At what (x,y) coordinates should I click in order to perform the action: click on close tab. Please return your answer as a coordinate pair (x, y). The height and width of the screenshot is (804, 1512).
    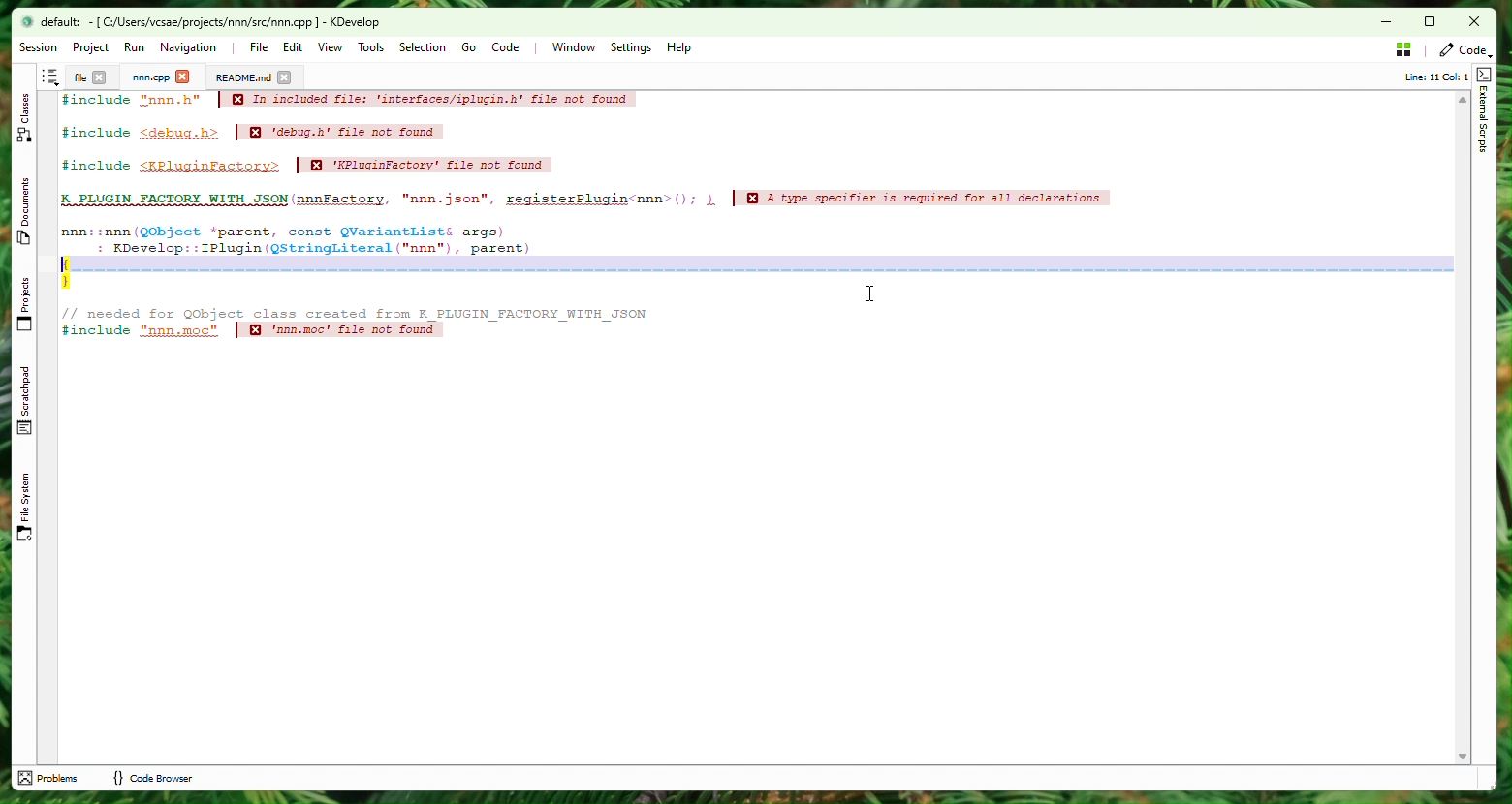
    Looking at the image, I should click on (285, 77).